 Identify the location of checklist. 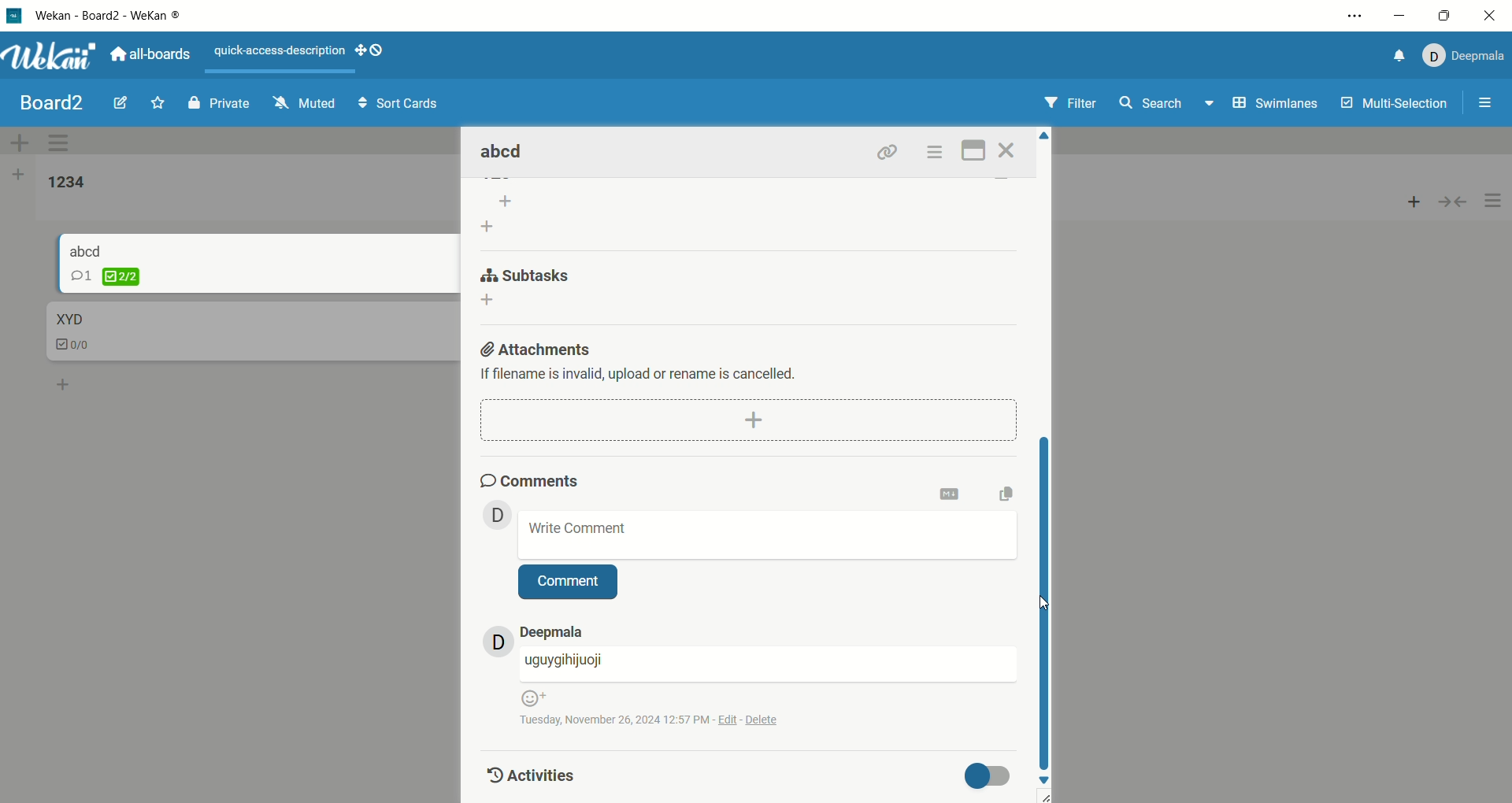
(75, 346).